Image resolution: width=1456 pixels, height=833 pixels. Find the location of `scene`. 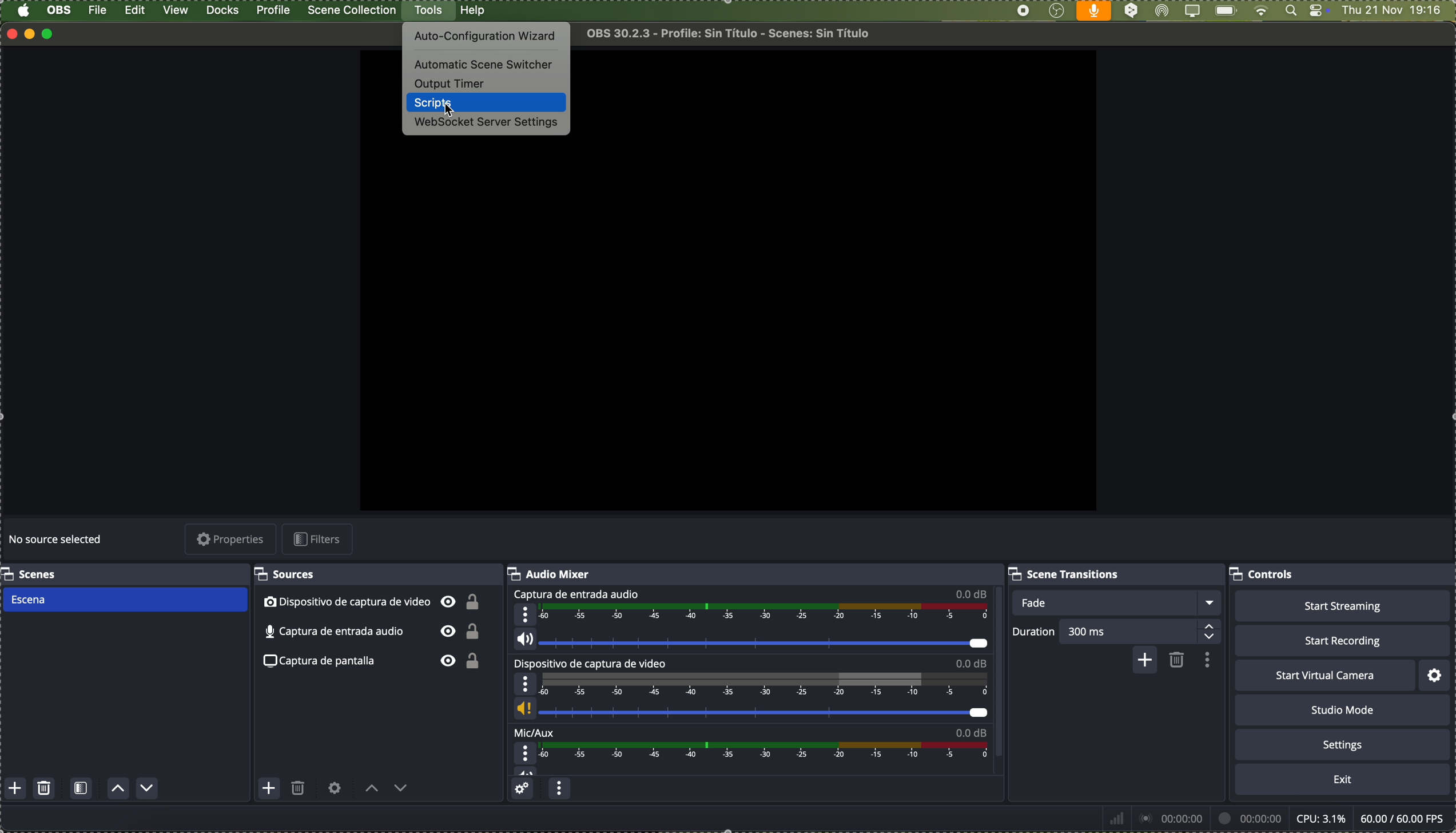

scene is located at coordinates (124, 600).